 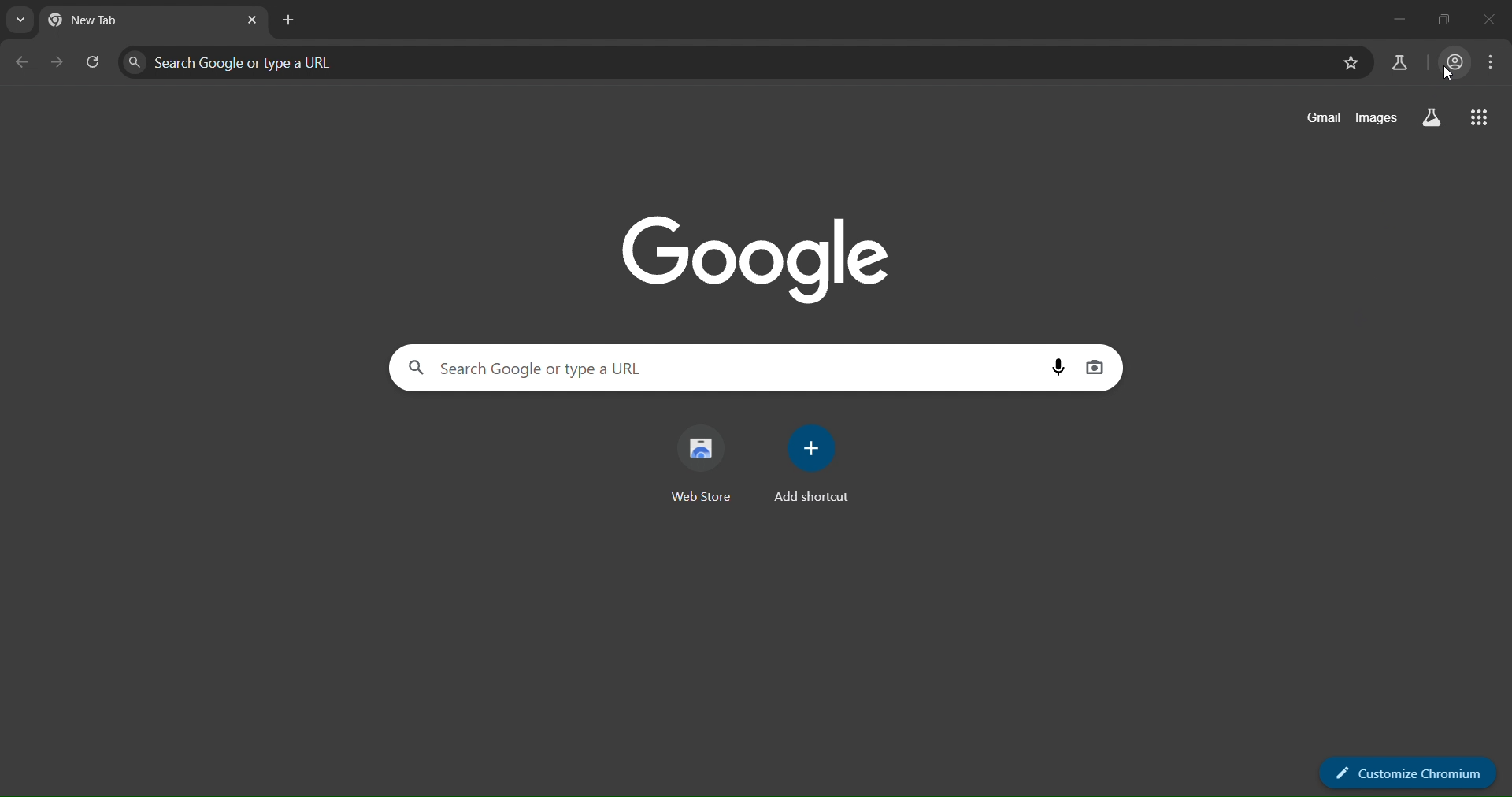 I want to click on search google or type a URL, so click(x=721, y=63).